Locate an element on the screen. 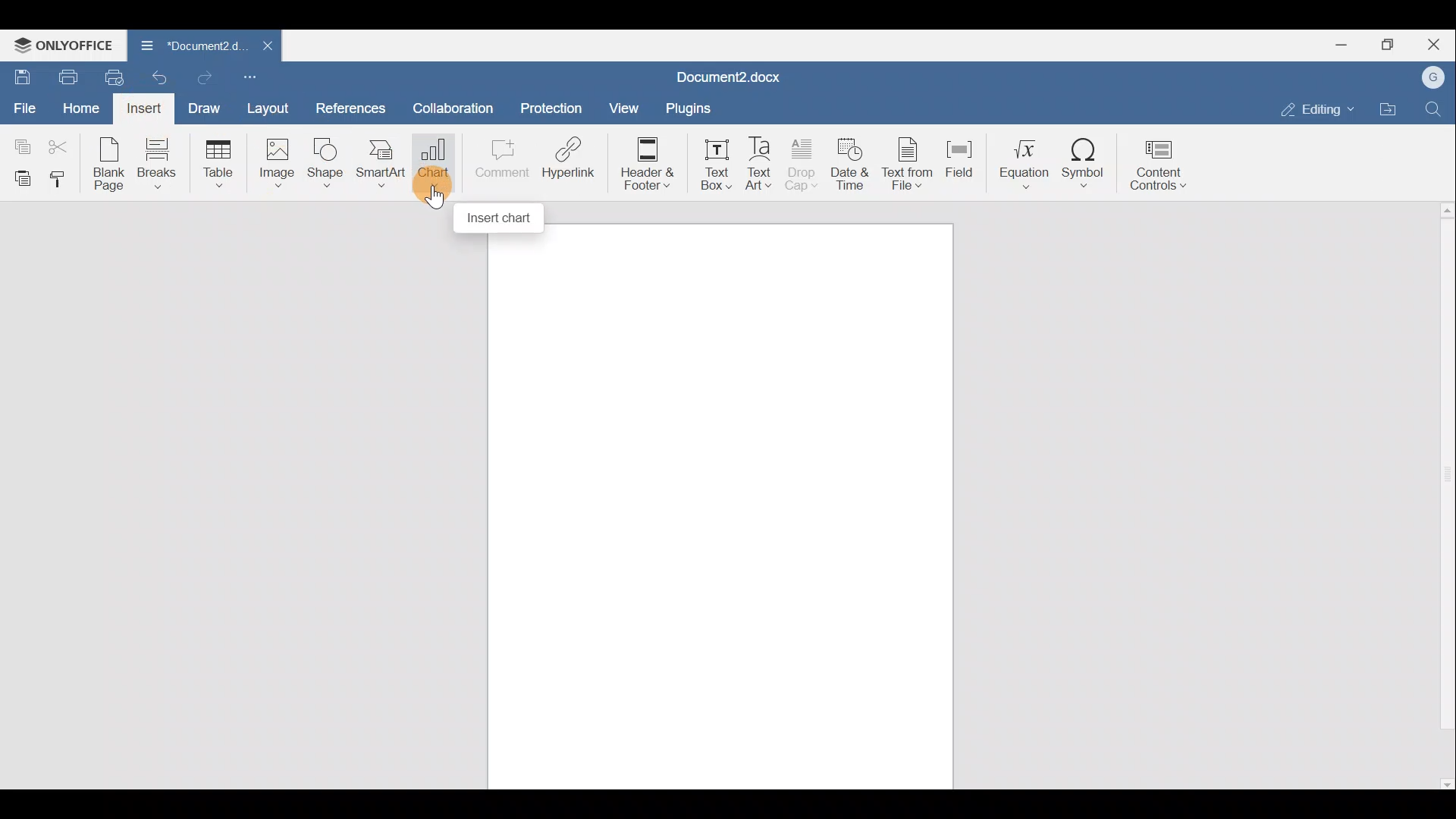  Save is located at coordinates (19, 77).